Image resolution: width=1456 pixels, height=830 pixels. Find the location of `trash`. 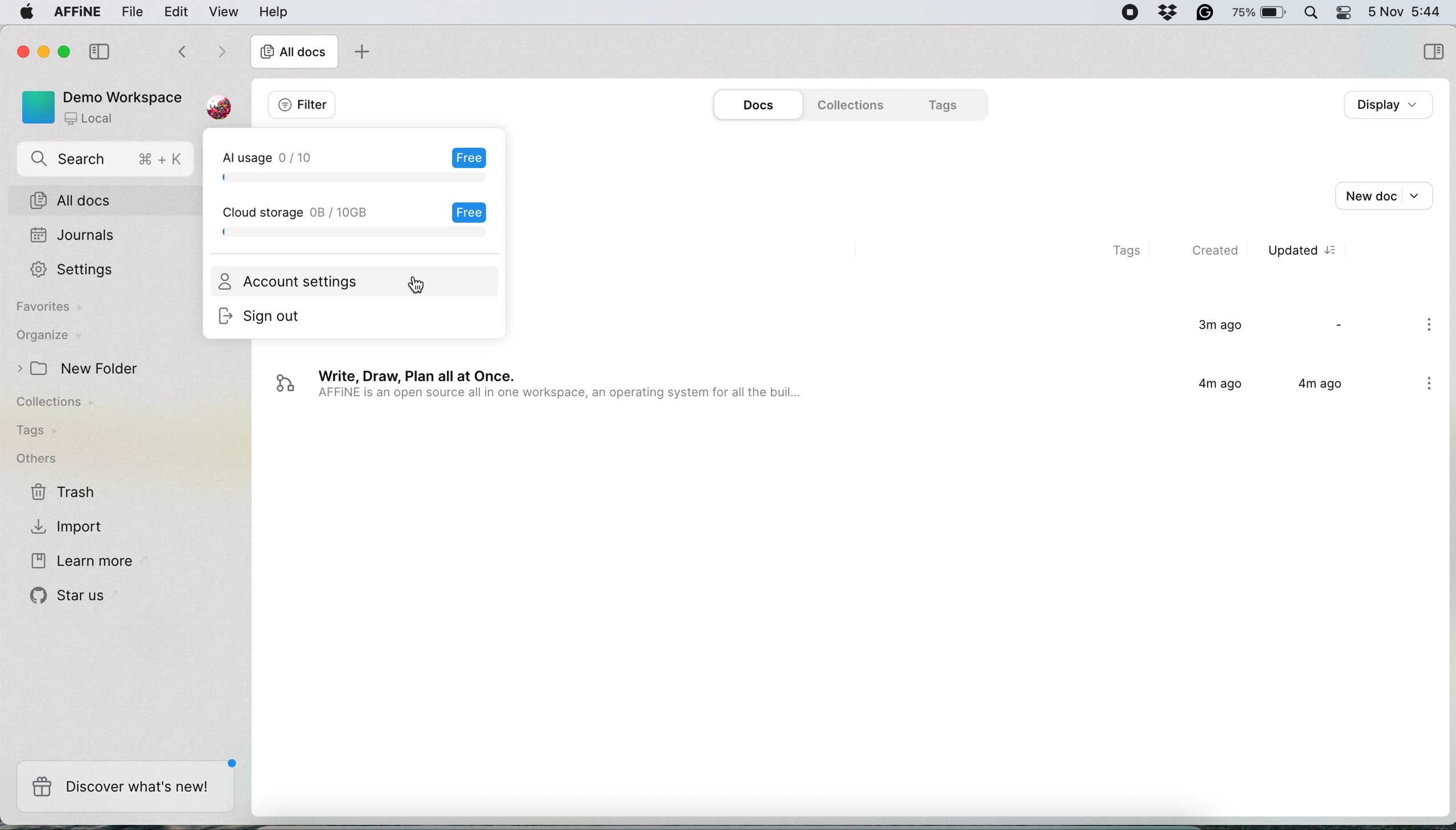

trash is located at coordinates (64, 493).